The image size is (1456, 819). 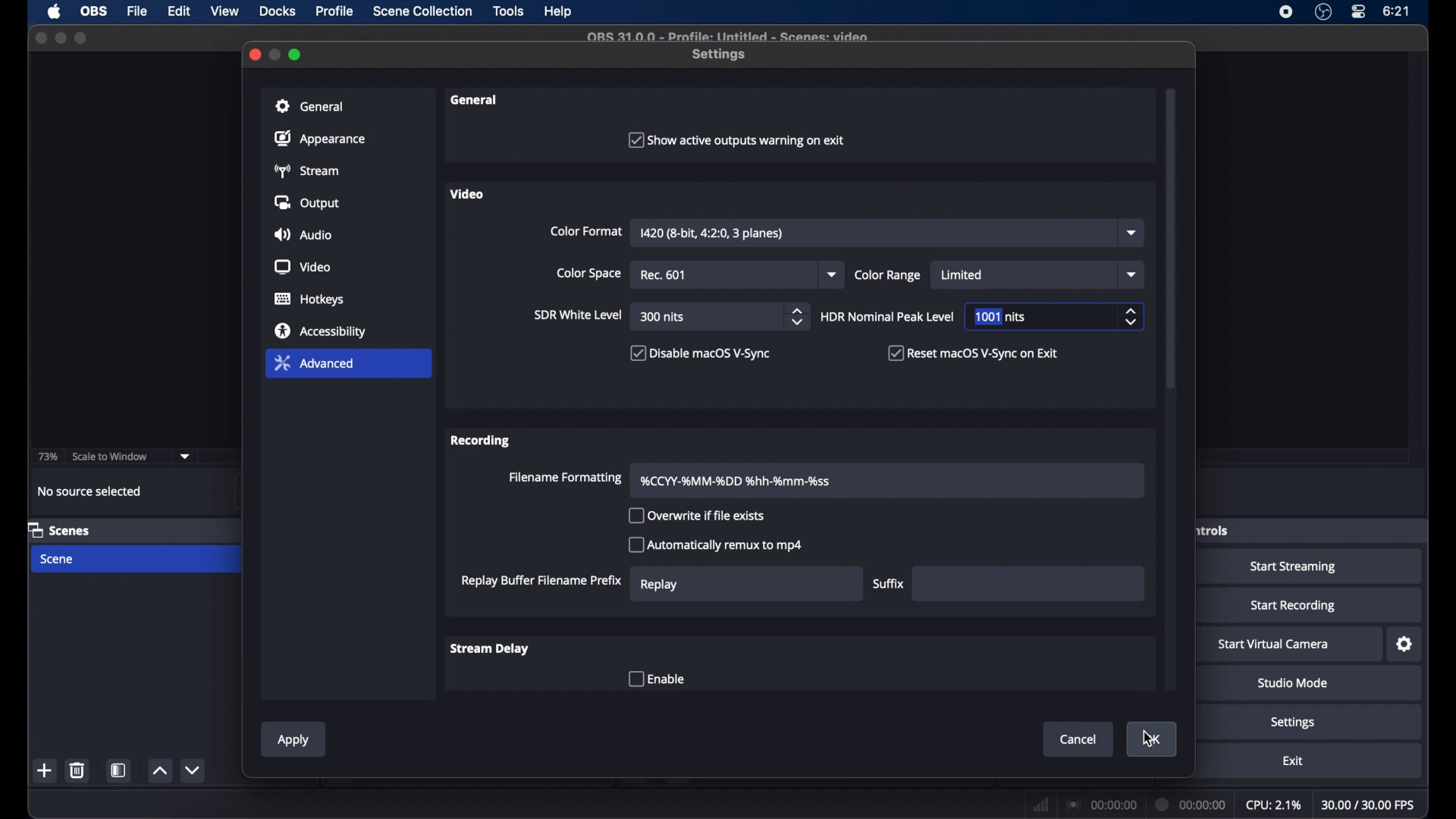 What do you see at coordinates (491, 648) in the screenshot?
I see `stream delay` at bounding box center [491, 648].